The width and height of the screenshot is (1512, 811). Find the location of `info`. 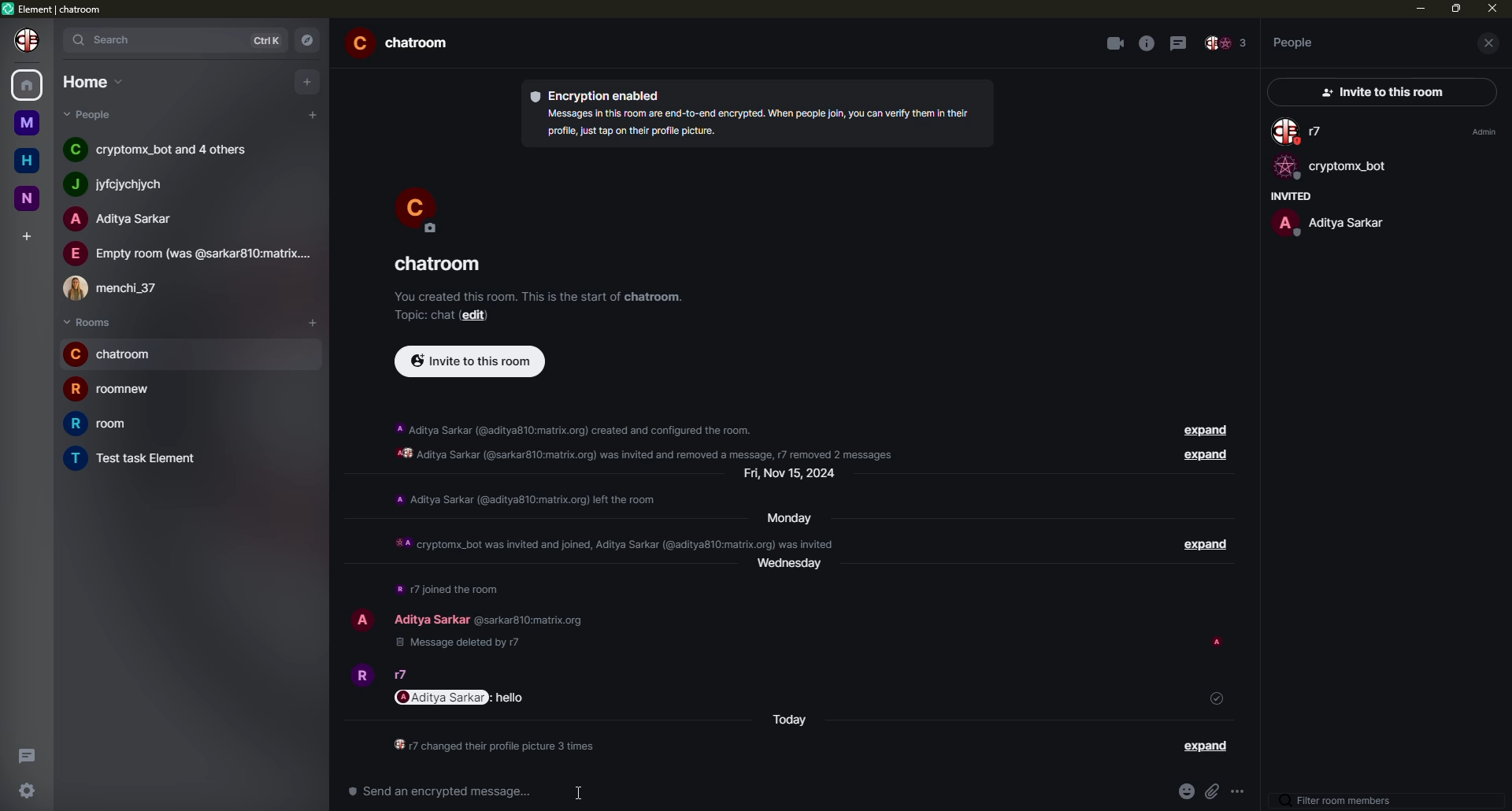

info is located at coordinates (526, 499).